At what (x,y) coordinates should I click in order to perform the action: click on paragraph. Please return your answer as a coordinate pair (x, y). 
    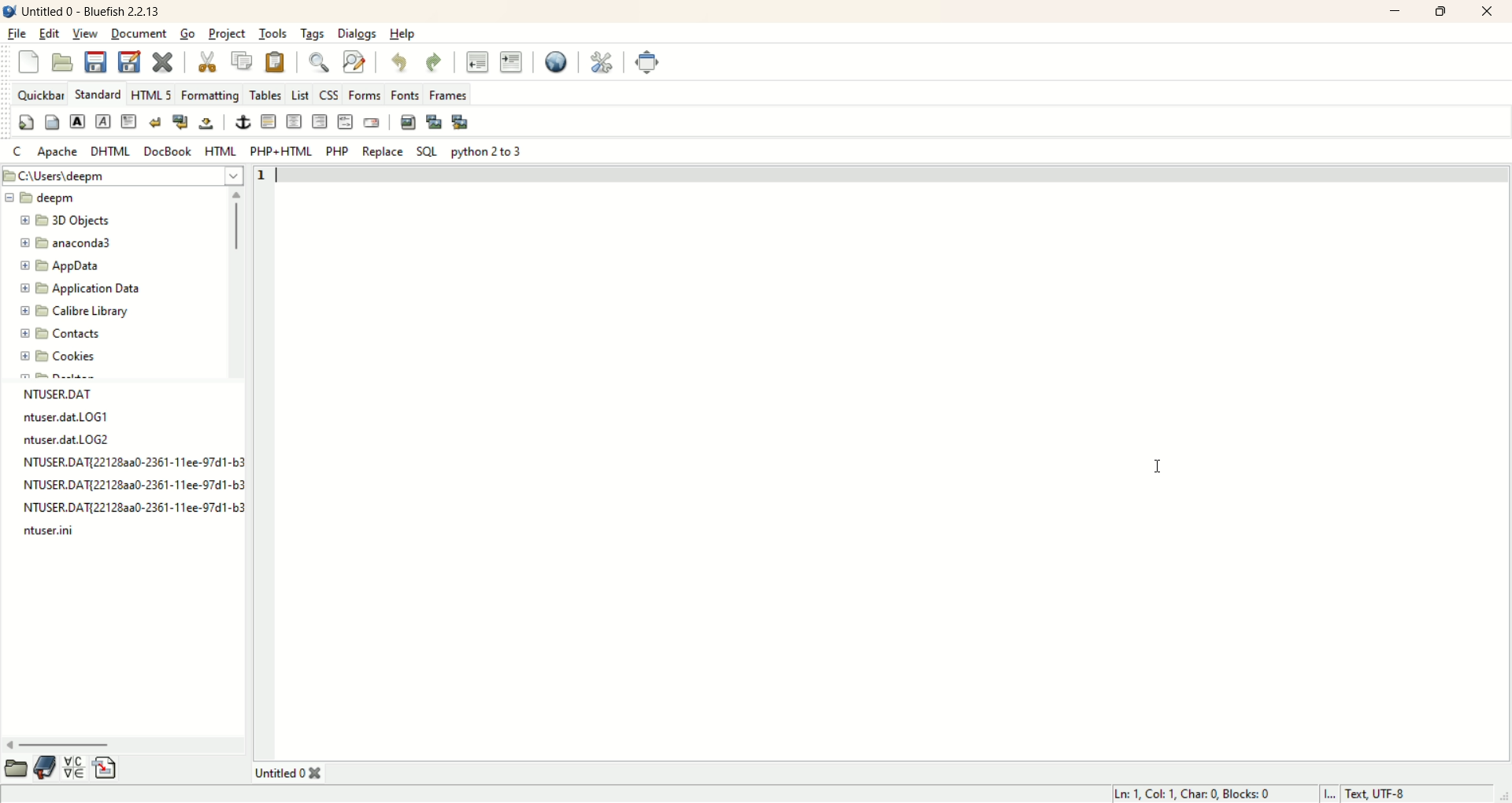
    Looking at the image, I should click on (129, 121).